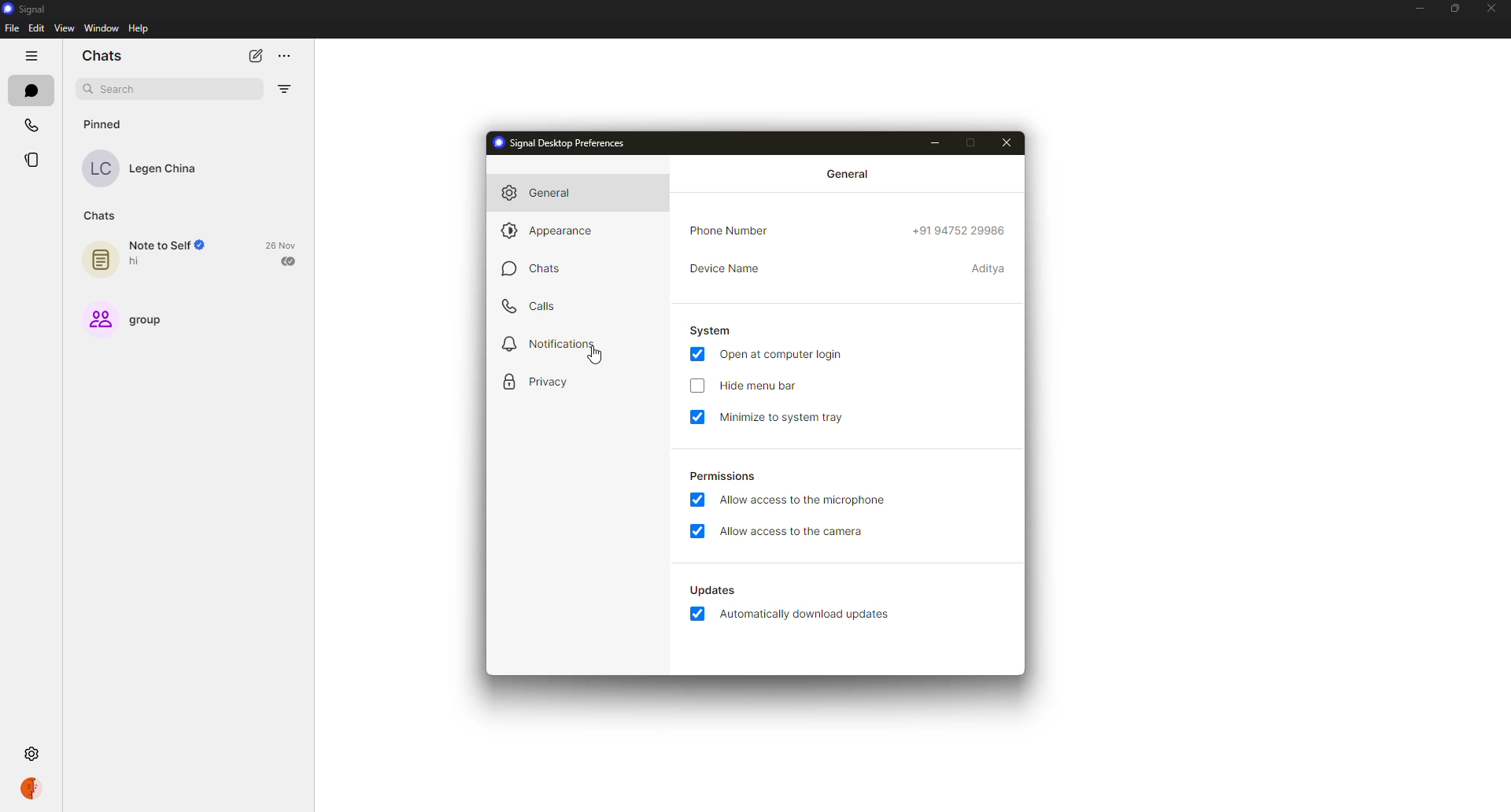  I want to click on +9194752 29986, so click(961, 232).